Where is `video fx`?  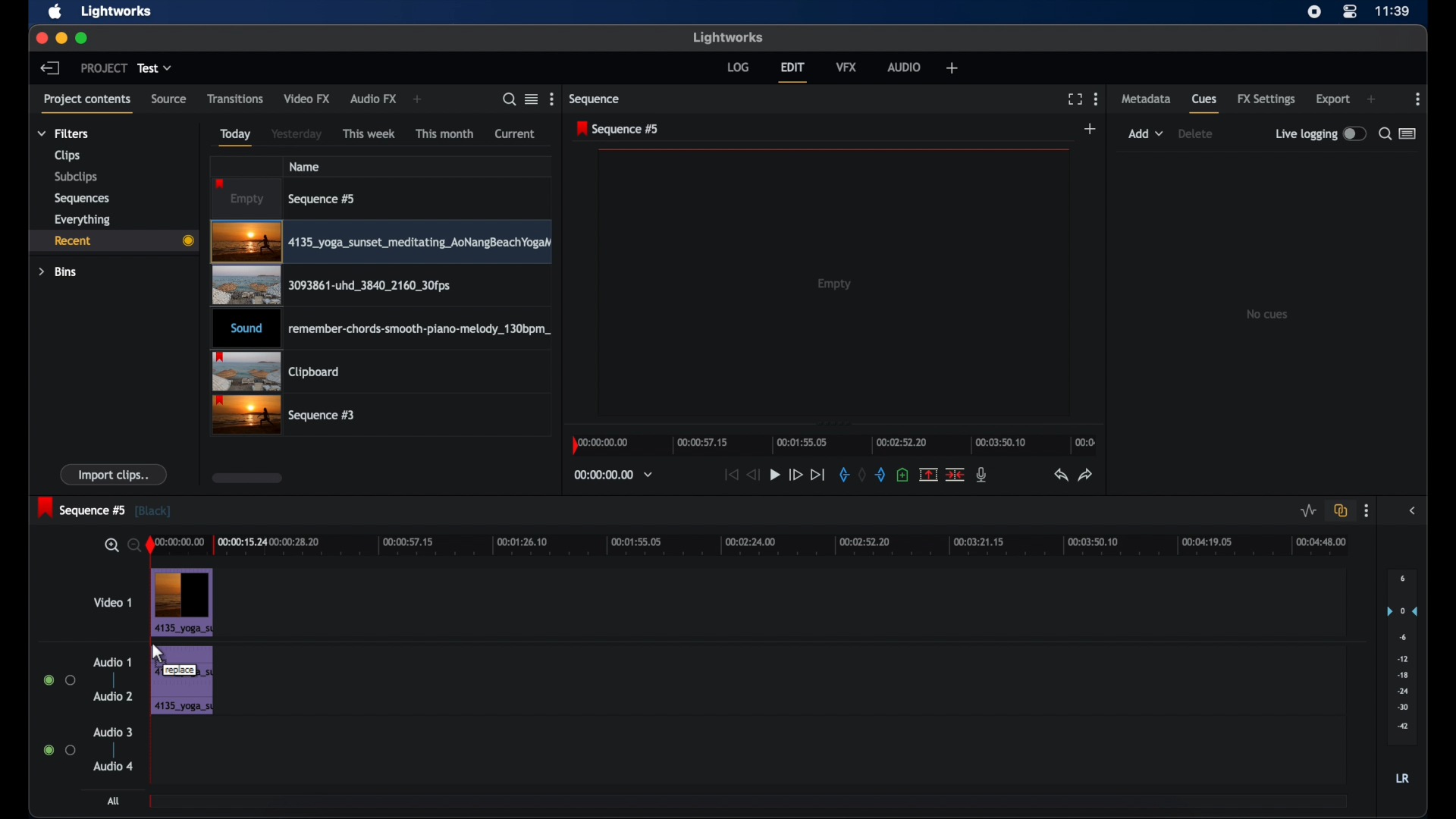 video fx is located at coordinates (309, 99).